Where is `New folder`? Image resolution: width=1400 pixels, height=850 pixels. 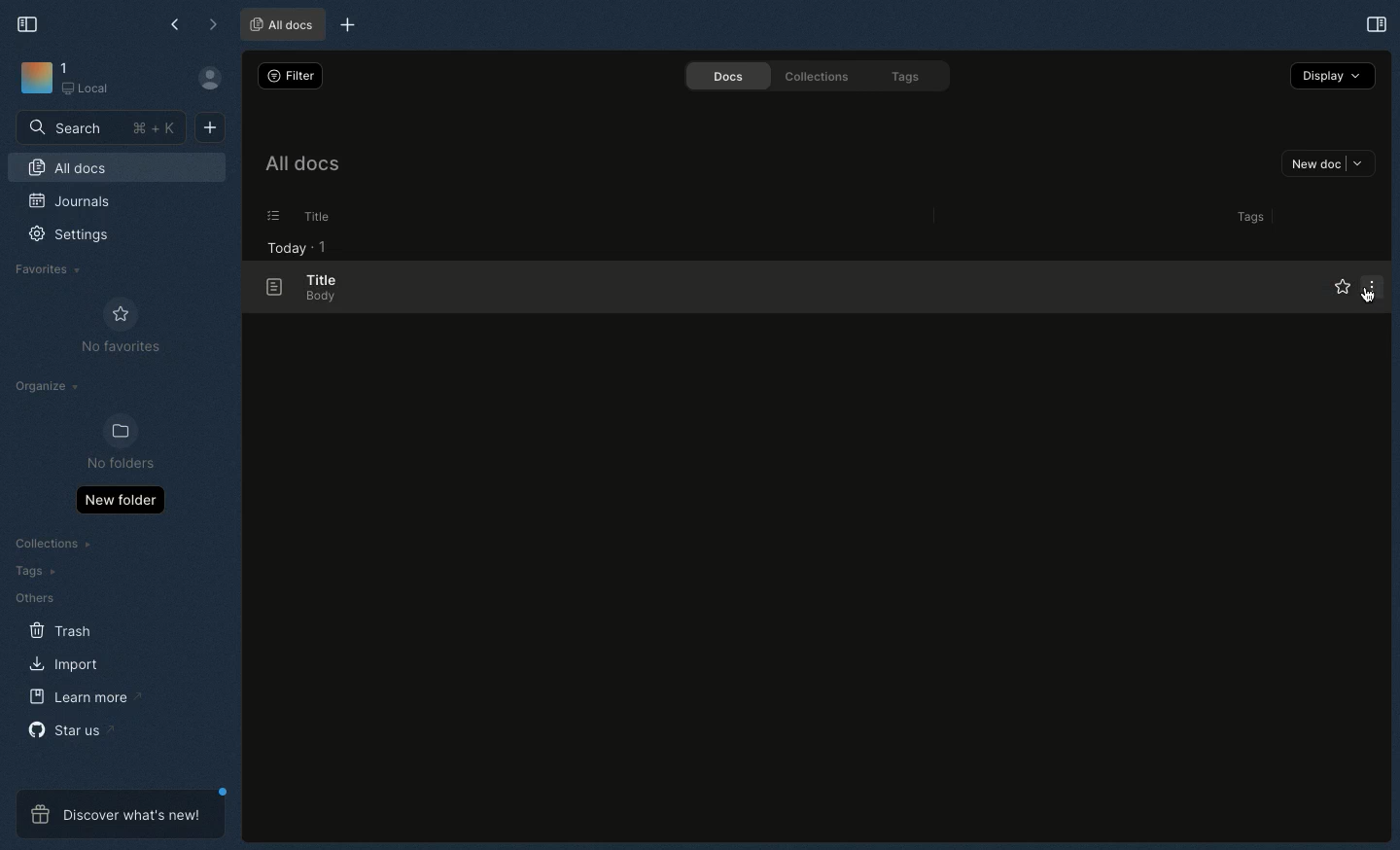 New folder is located at coordinates (120, 499).